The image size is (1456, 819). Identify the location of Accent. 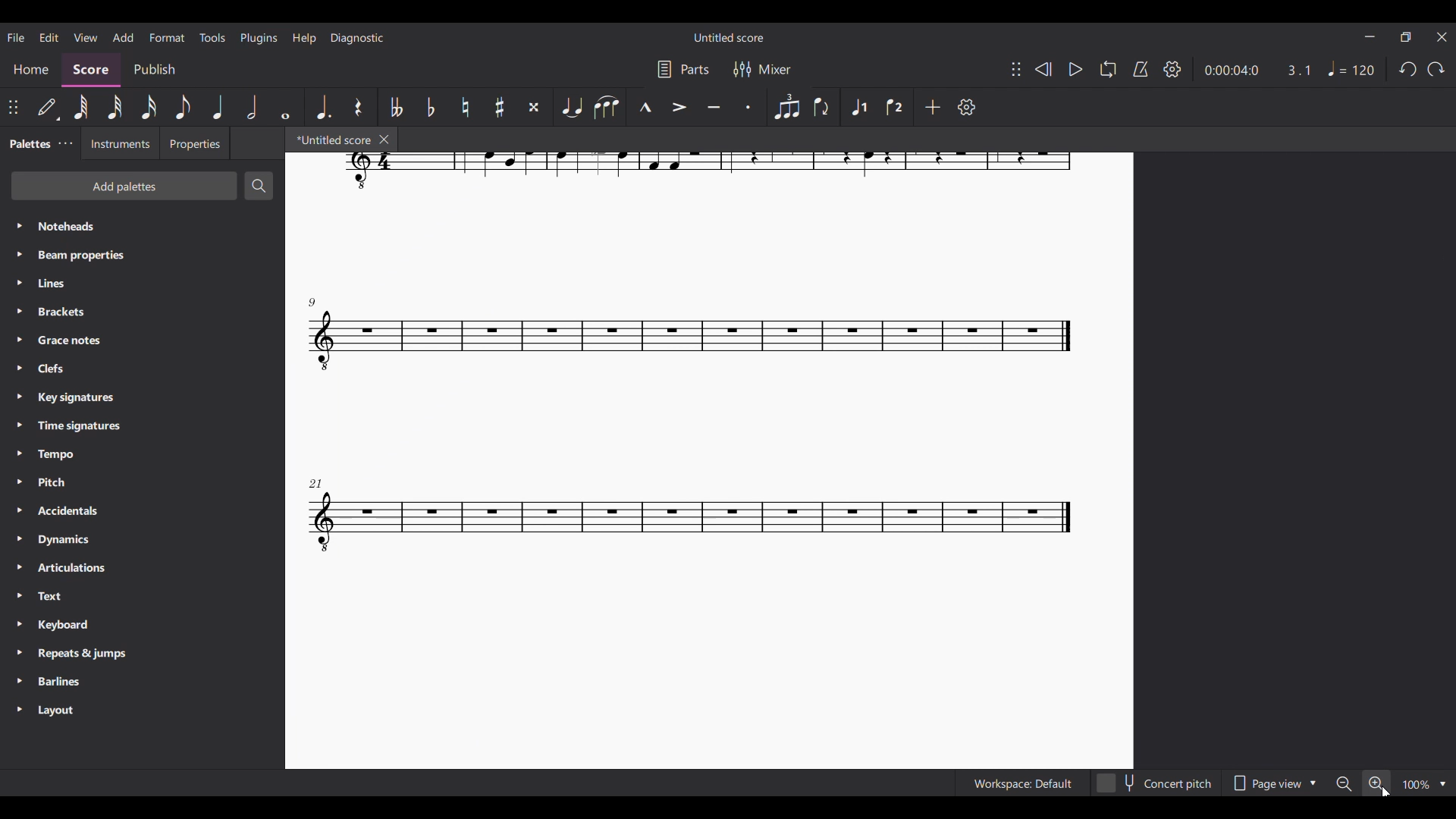
(679, 108).